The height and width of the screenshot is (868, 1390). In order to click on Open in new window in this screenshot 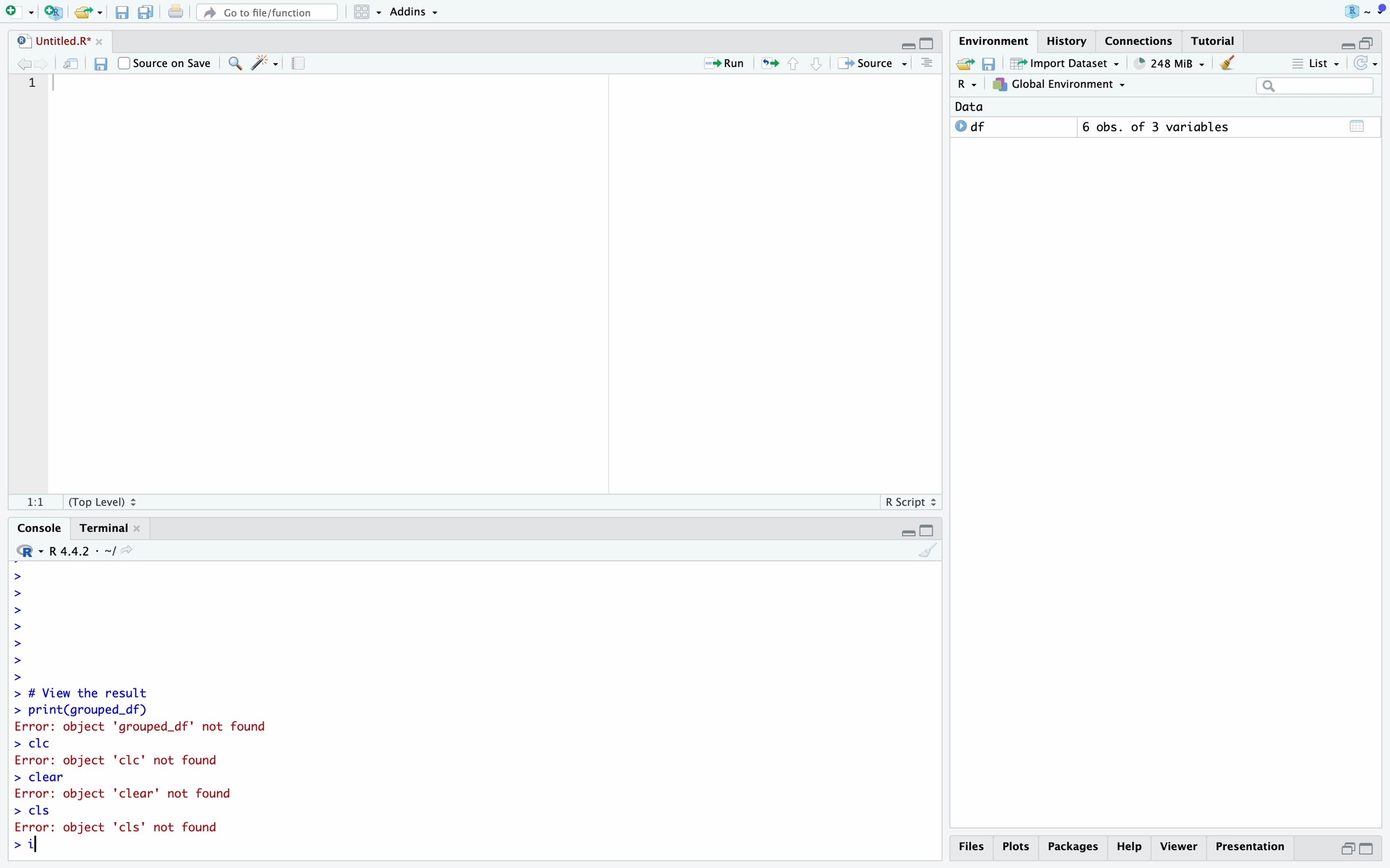, I will do `click(73, 64)`.